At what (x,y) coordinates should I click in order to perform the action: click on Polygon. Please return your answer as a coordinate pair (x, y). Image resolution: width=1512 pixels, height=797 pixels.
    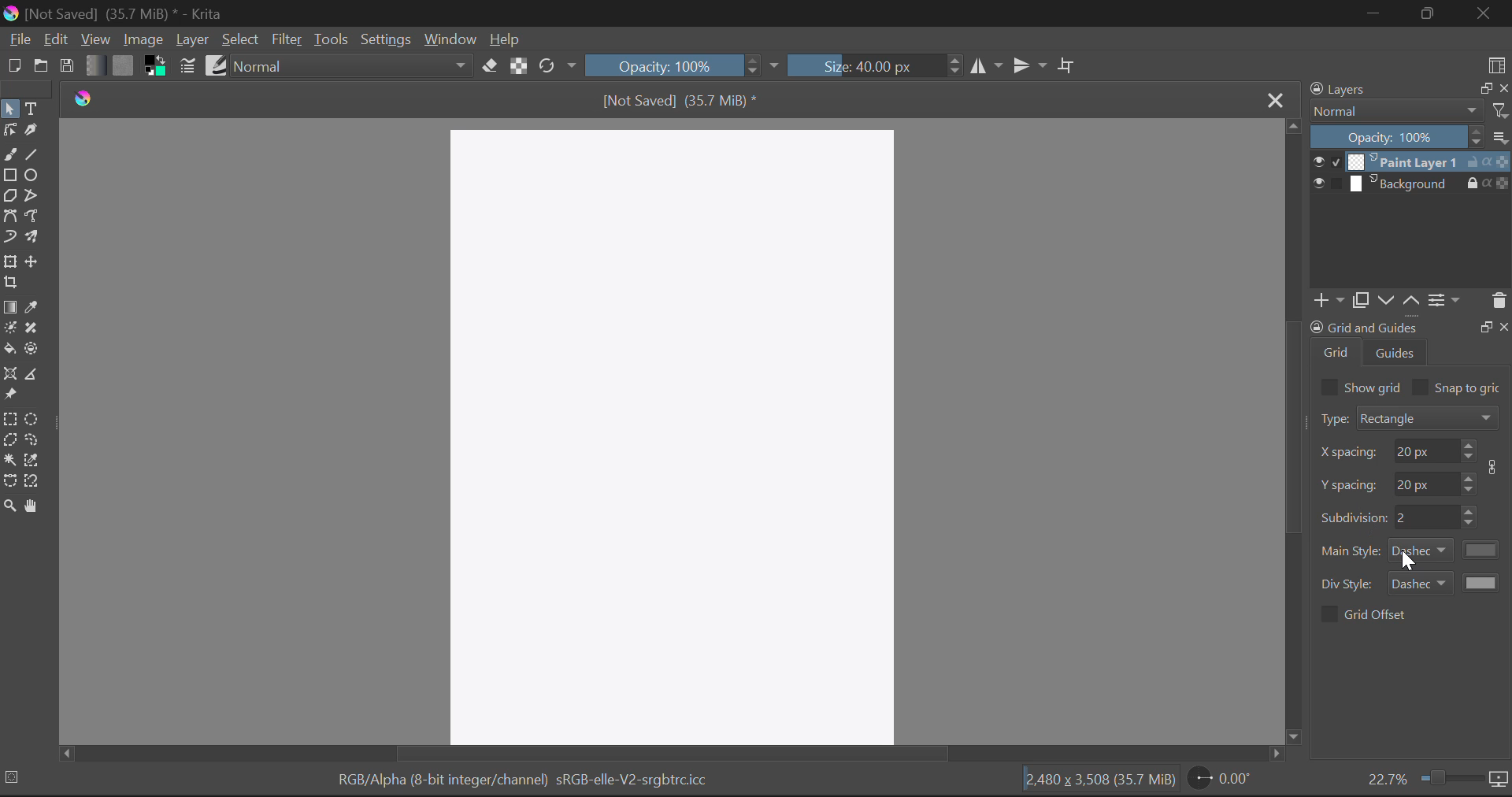
    Looking at the image, I should click on (11, 197).